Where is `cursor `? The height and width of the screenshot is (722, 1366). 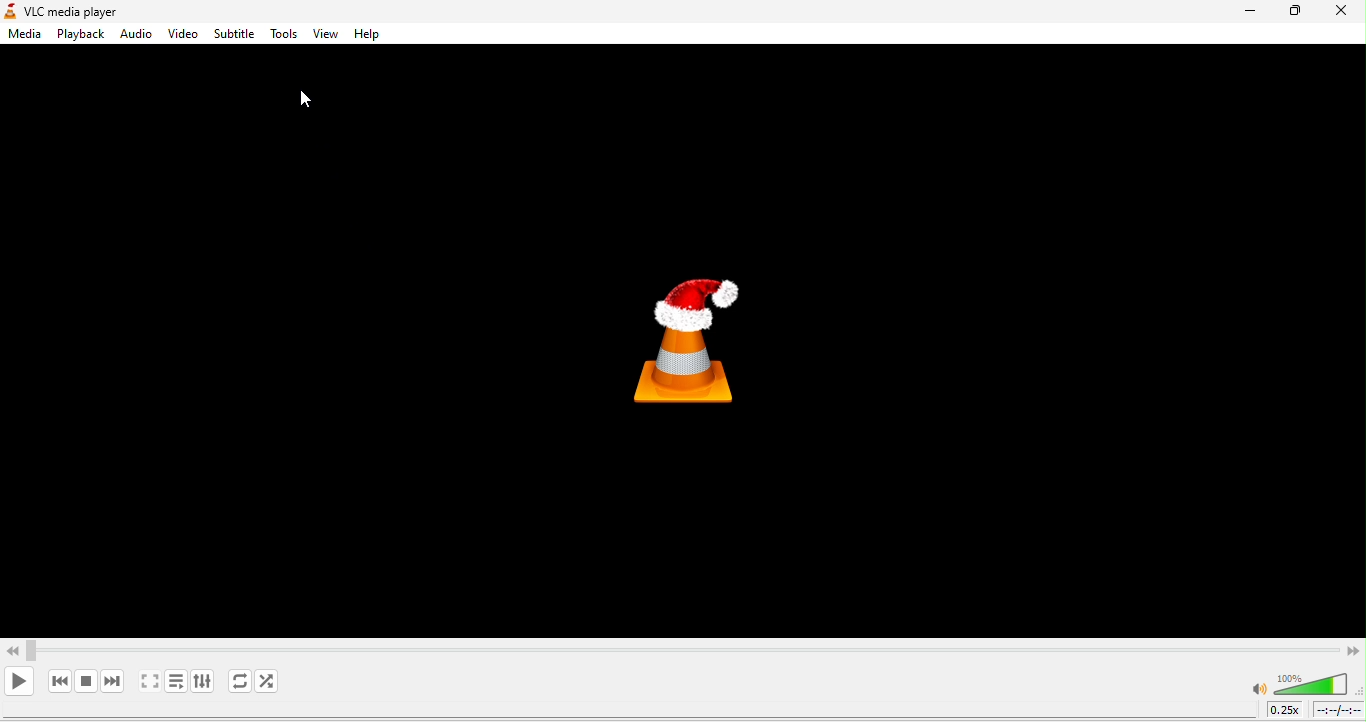 cursor  is located at coordinates (303, 103).